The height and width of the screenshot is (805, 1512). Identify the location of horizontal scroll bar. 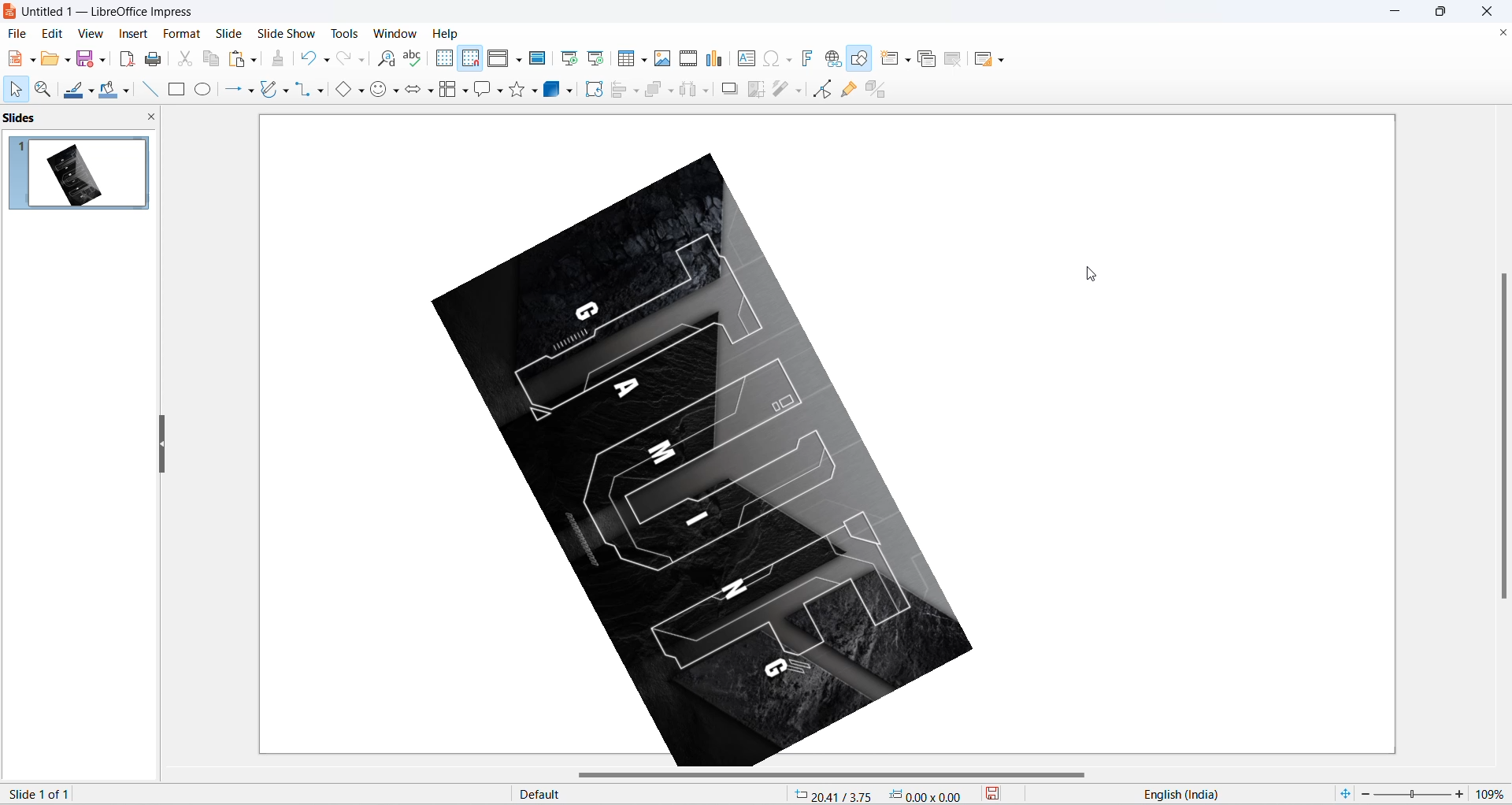
(836, 776).